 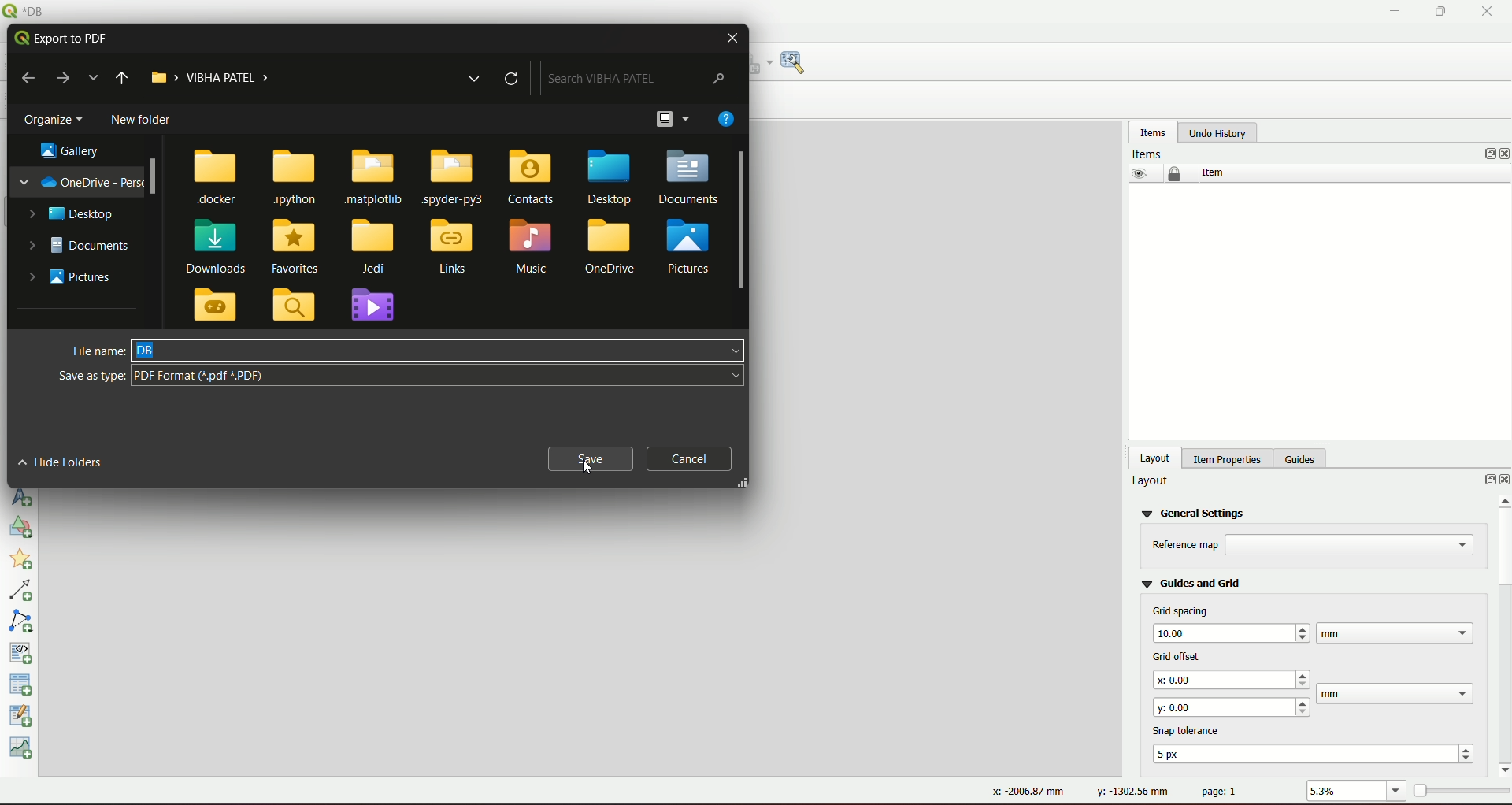 What do you see at coordinates (532, 248) in the screenshot?
I see `Music` at bounding box center [532, 248].